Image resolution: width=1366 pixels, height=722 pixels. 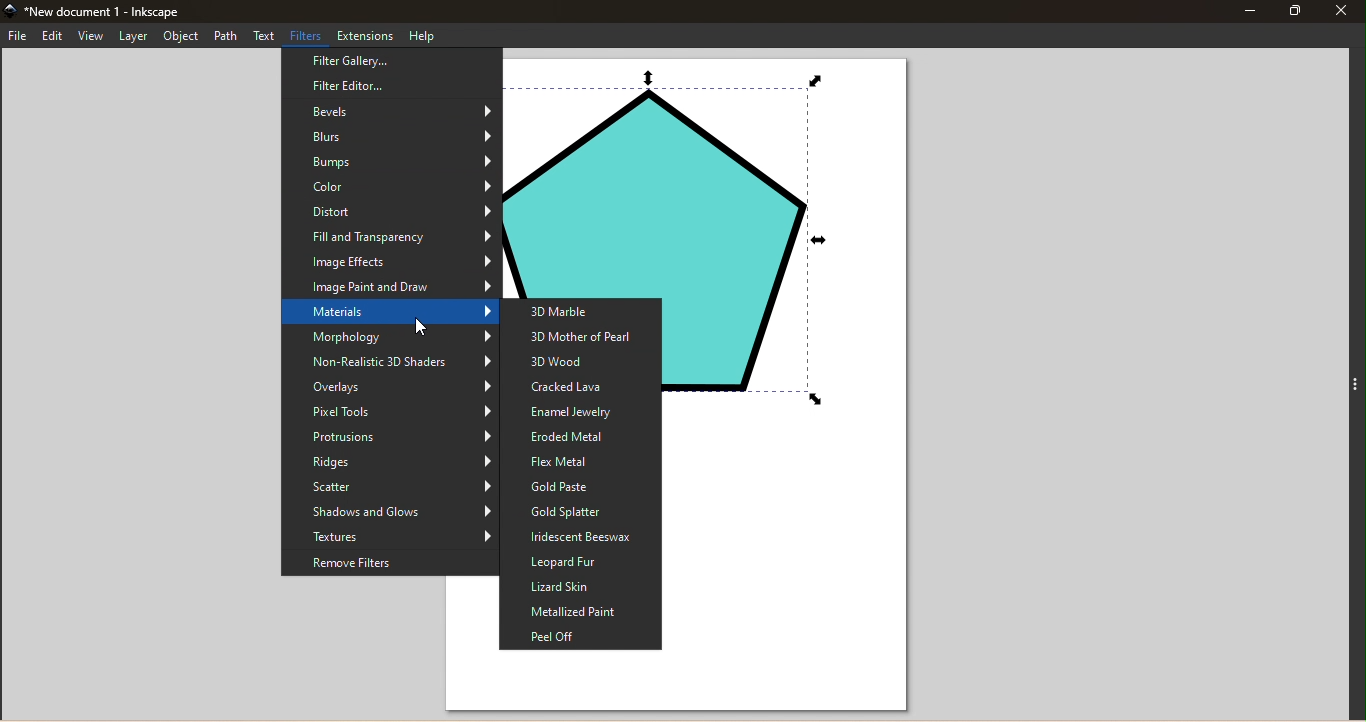 What do you see at coordinates (390, 264) in the screenshot?
I see `Image Effects` at bounding box center [390, 264].